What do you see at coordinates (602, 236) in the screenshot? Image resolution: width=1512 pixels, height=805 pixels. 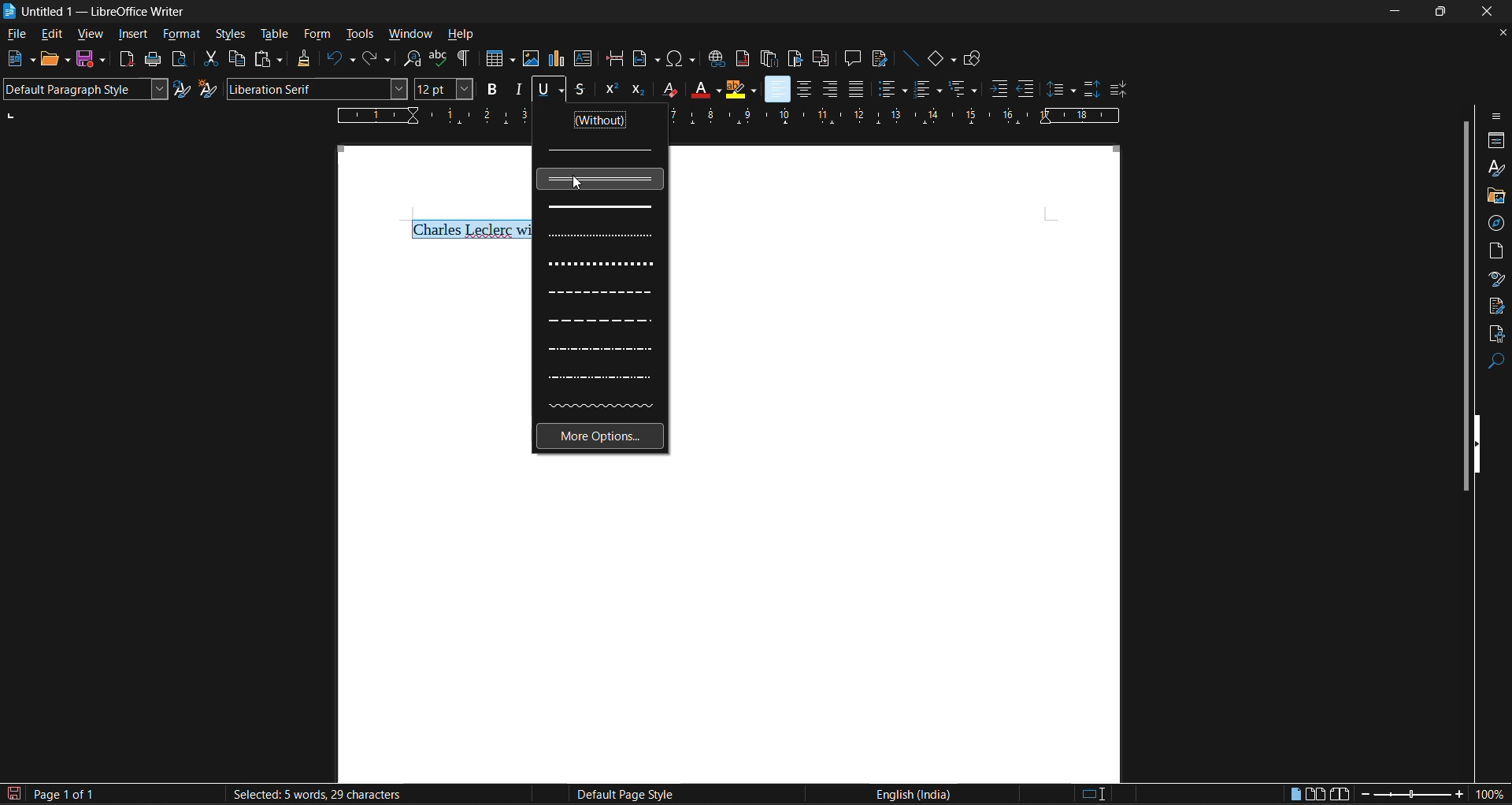 I see `dotted` at bounding box center [602, 236].